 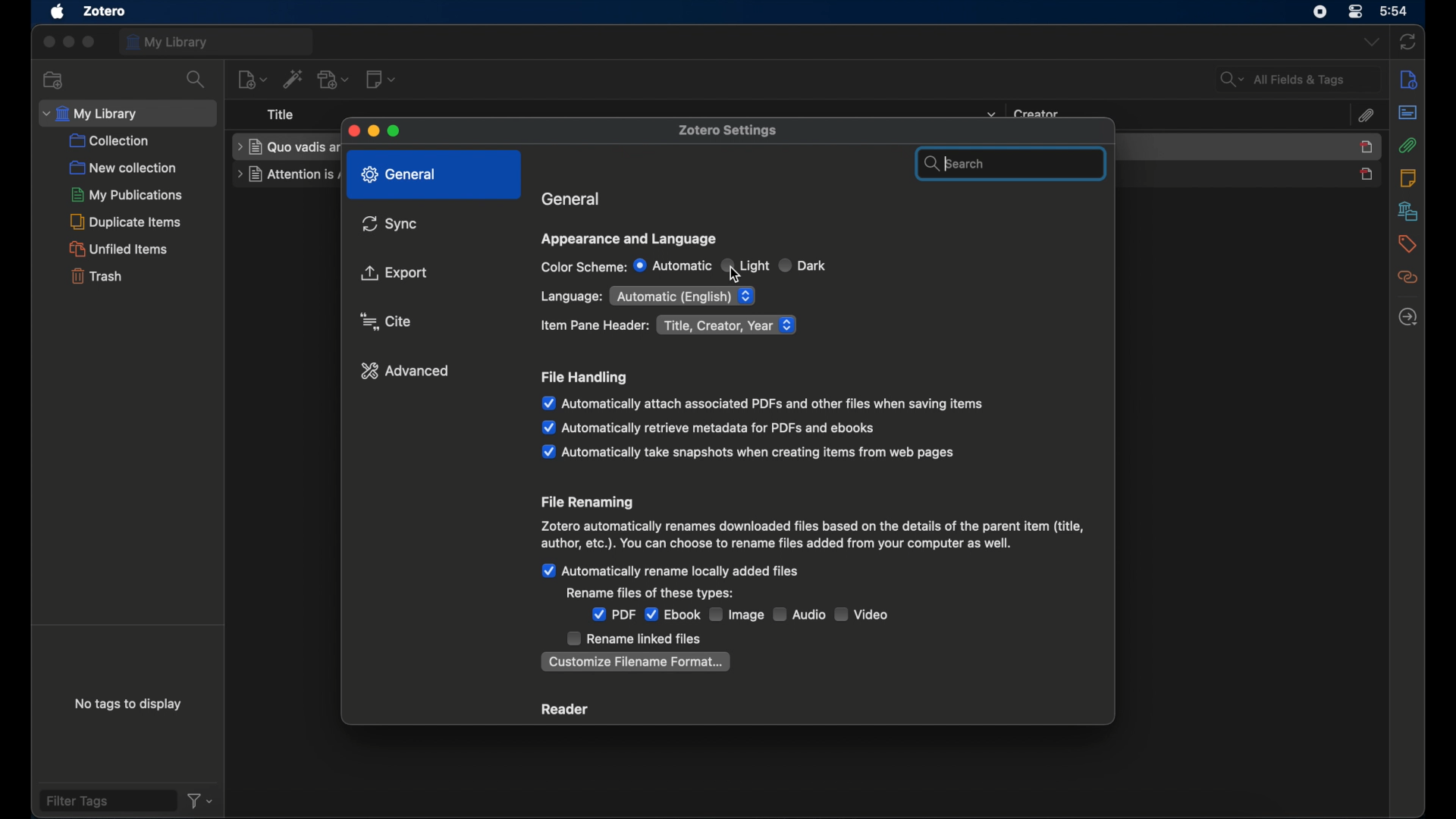 I want to click on collection, so click(x=111, y=141).